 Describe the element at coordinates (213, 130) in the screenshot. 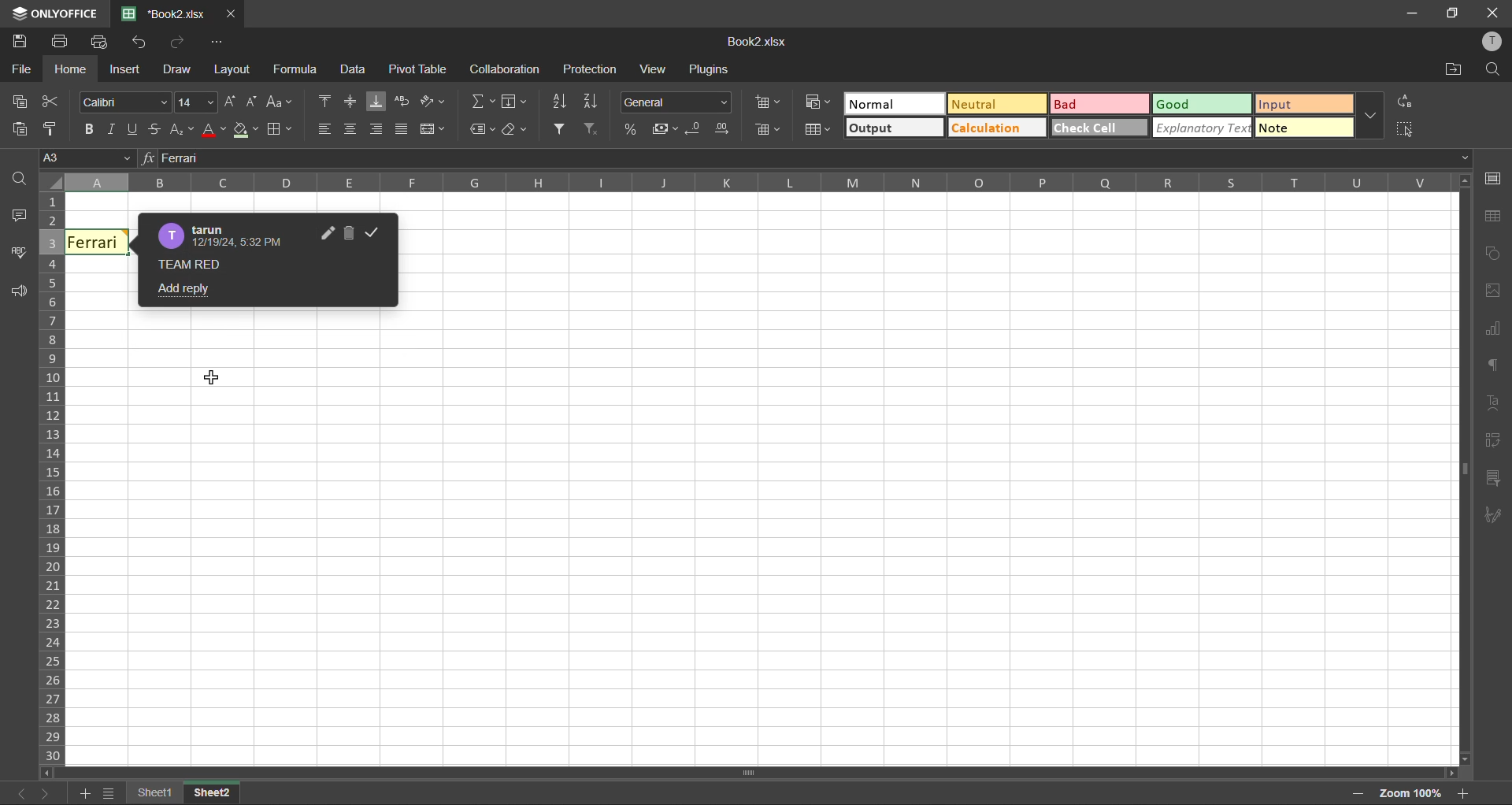

I see `font color` at that location.